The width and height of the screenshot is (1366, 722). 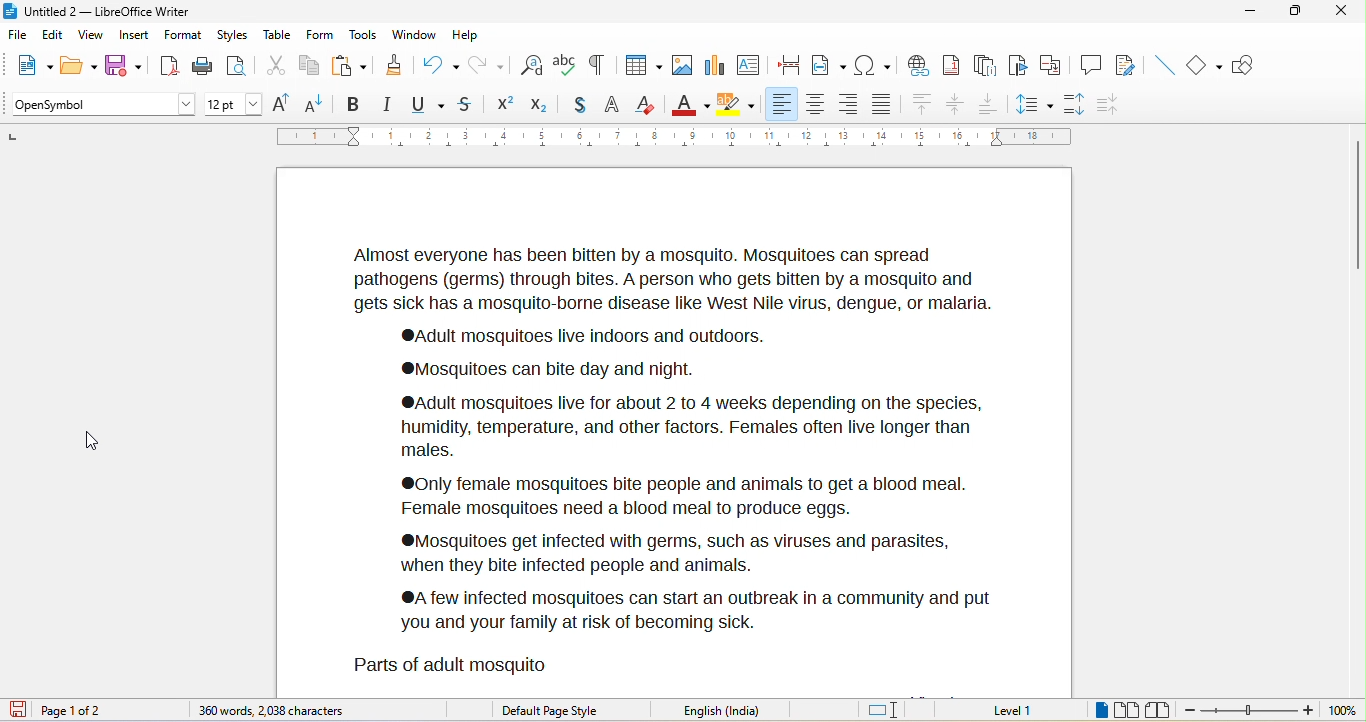 I want to click on print preview, so click(x=237, y=68).